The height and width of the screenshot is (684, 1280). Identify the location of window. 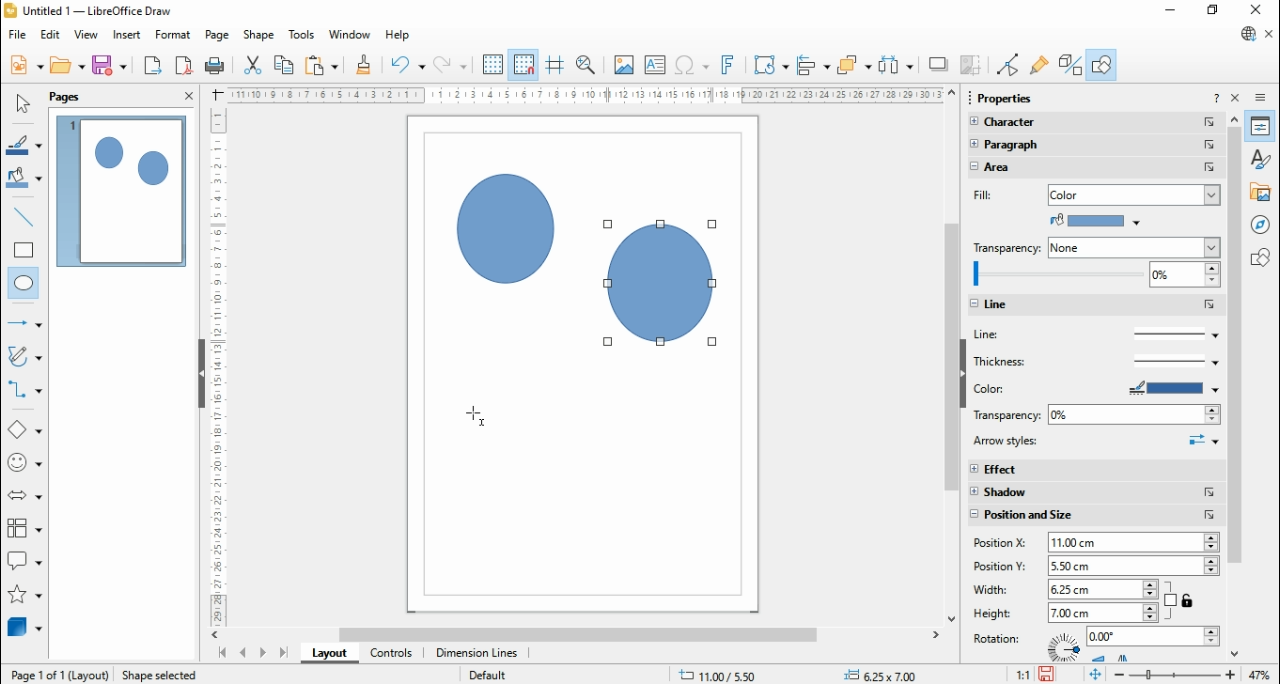
(350, 34).